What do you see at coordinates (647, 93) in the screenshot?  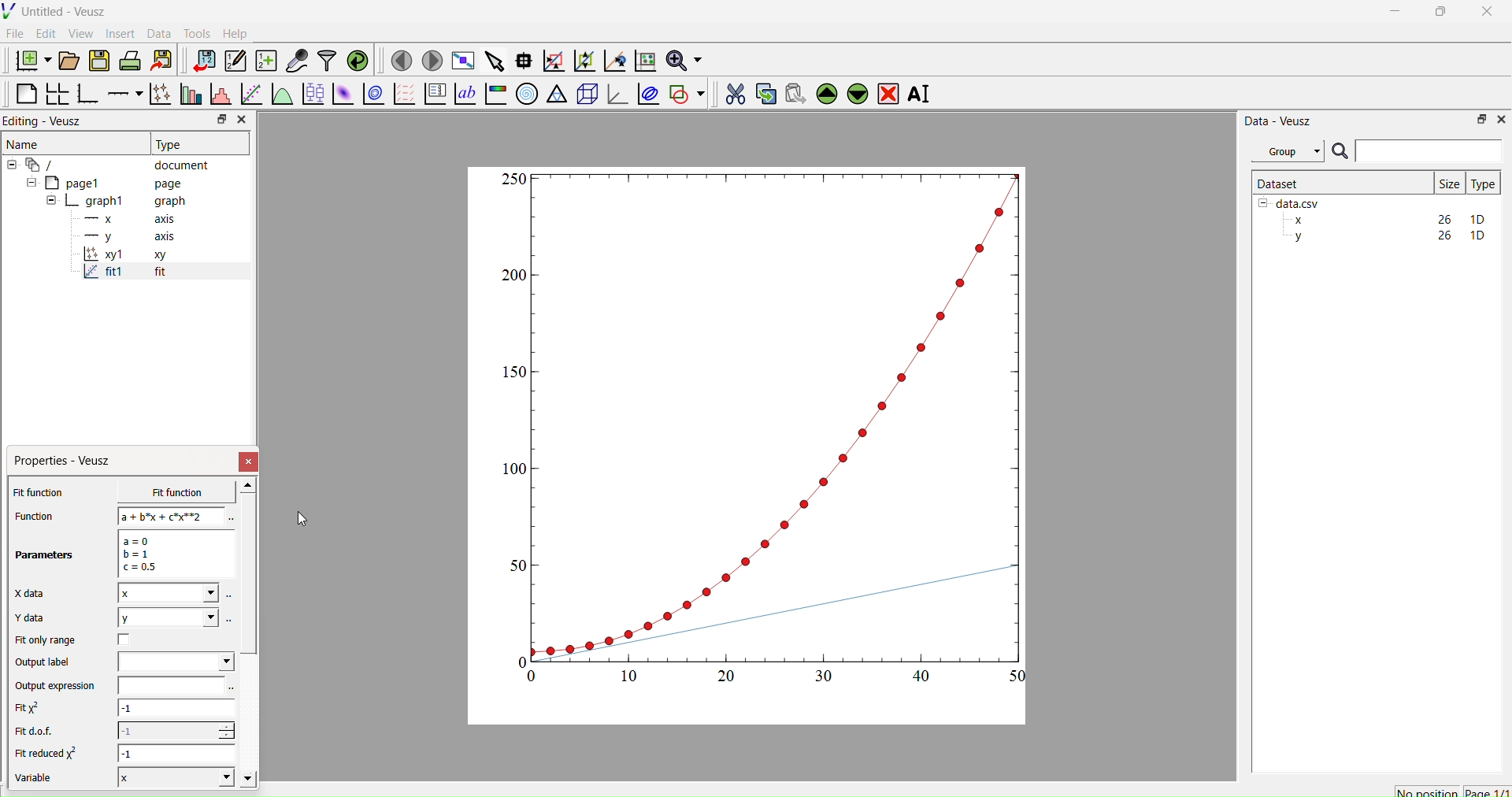 I see `Plot covariance ellipses` at bounding box center [647, 93].